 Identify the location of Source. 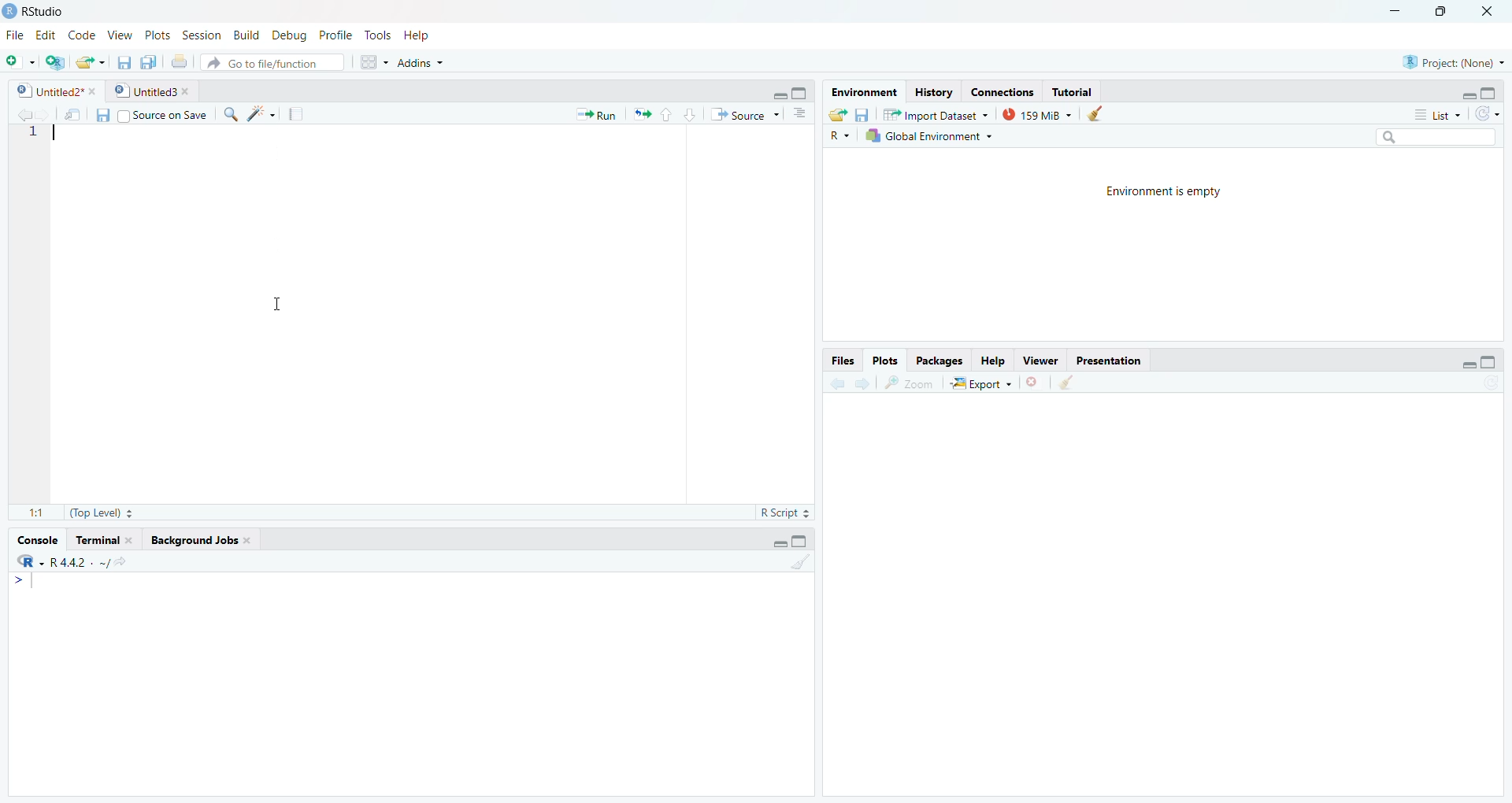
(743, 114).